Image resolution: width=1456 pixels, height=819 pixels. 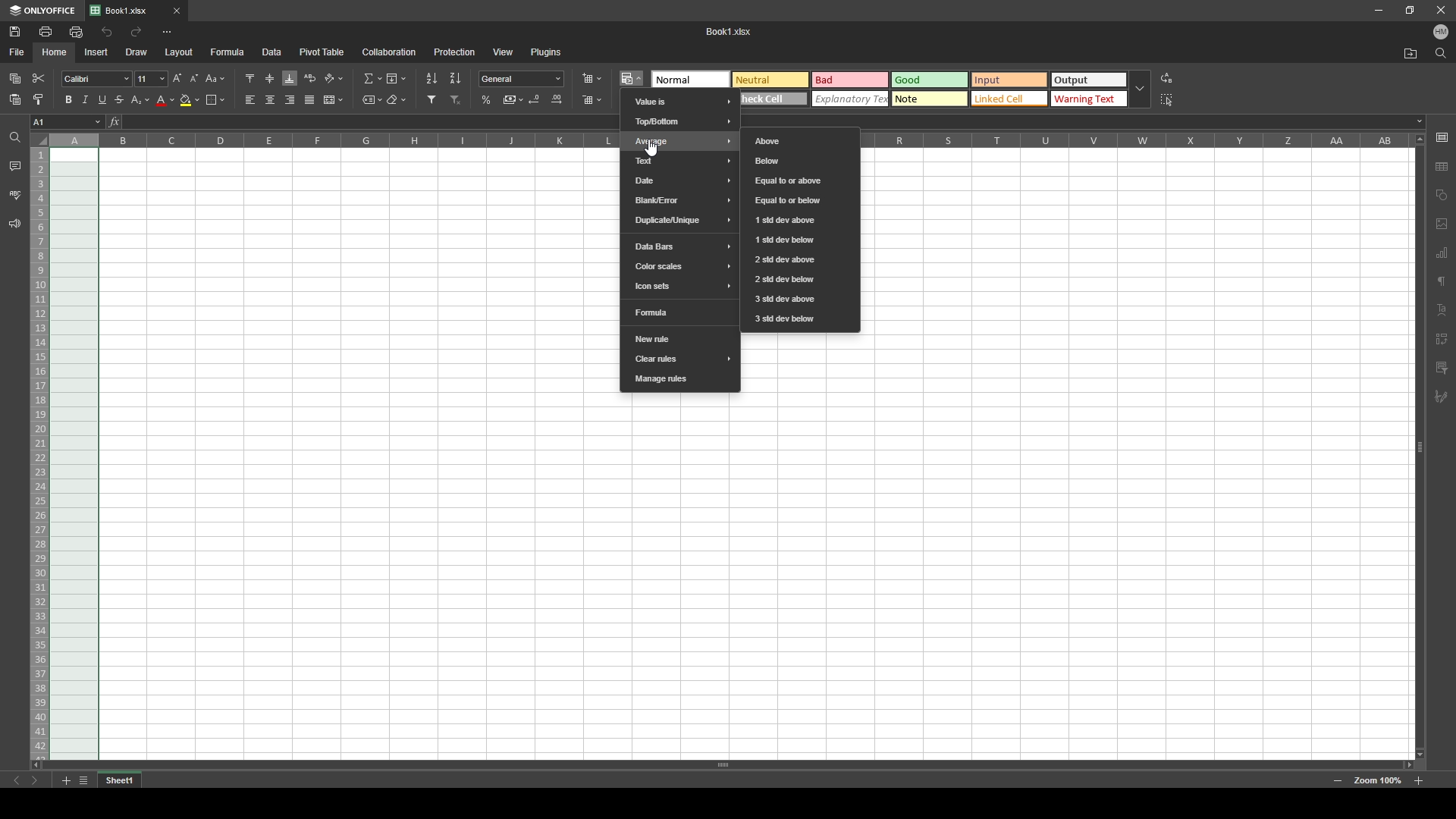 What do you see at coordinates (798, 160) in the screenshot?
I see `below` at bounding box center [798, 160].